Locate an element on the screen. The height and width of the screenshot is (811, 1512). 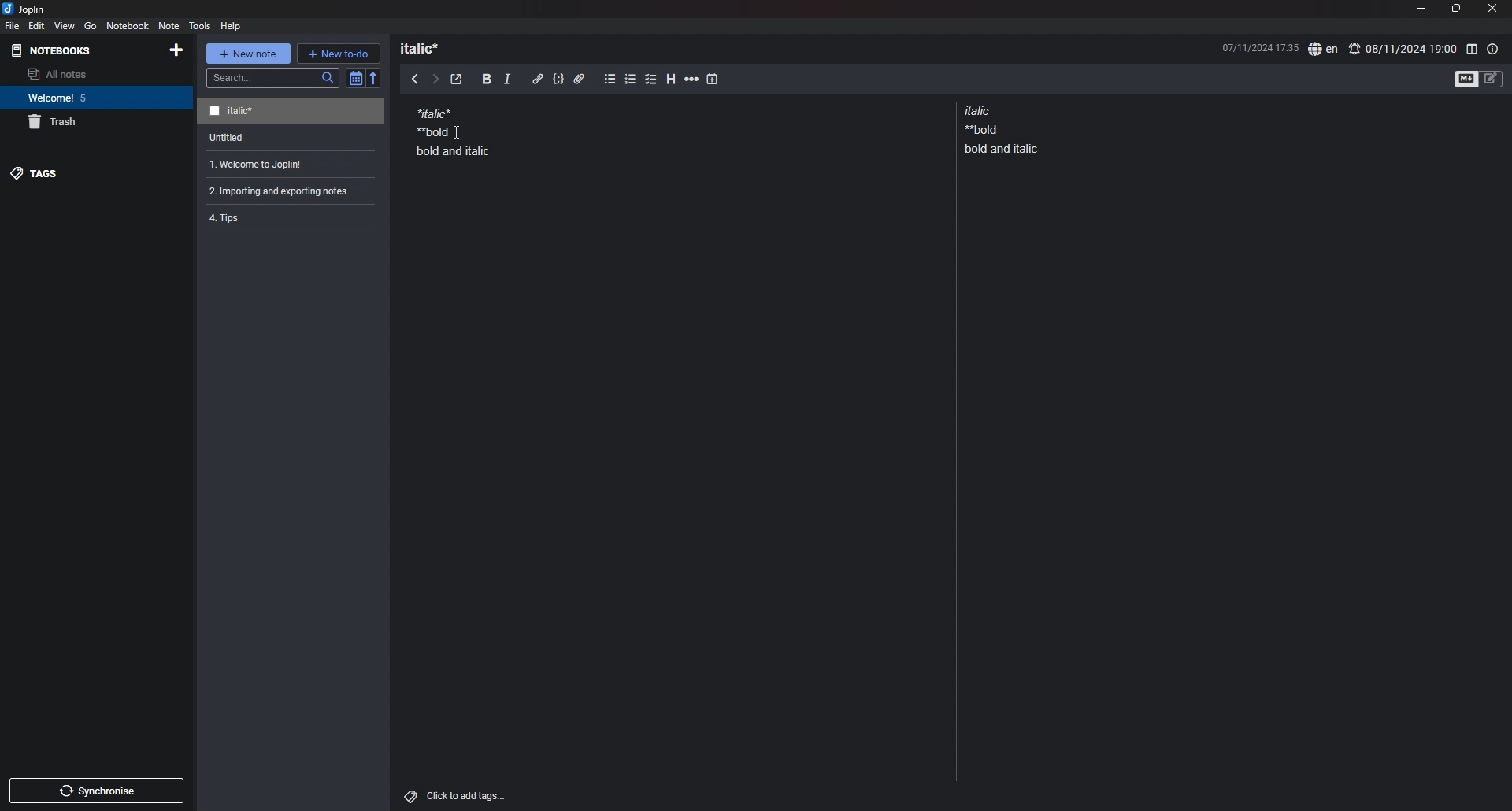
toggle editor layout is located at coordinates (1471, 49).